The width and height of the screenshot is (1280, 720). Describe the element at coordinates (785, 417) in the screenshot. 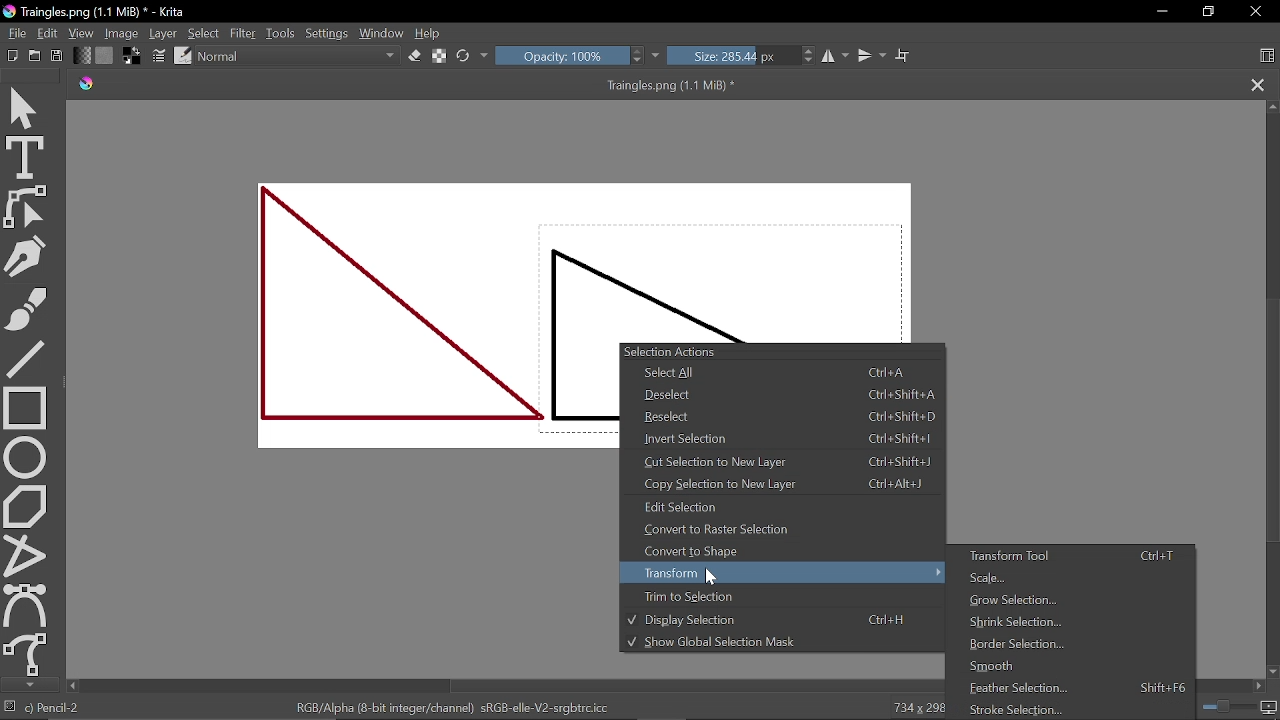

I see `Reselect` at that location.